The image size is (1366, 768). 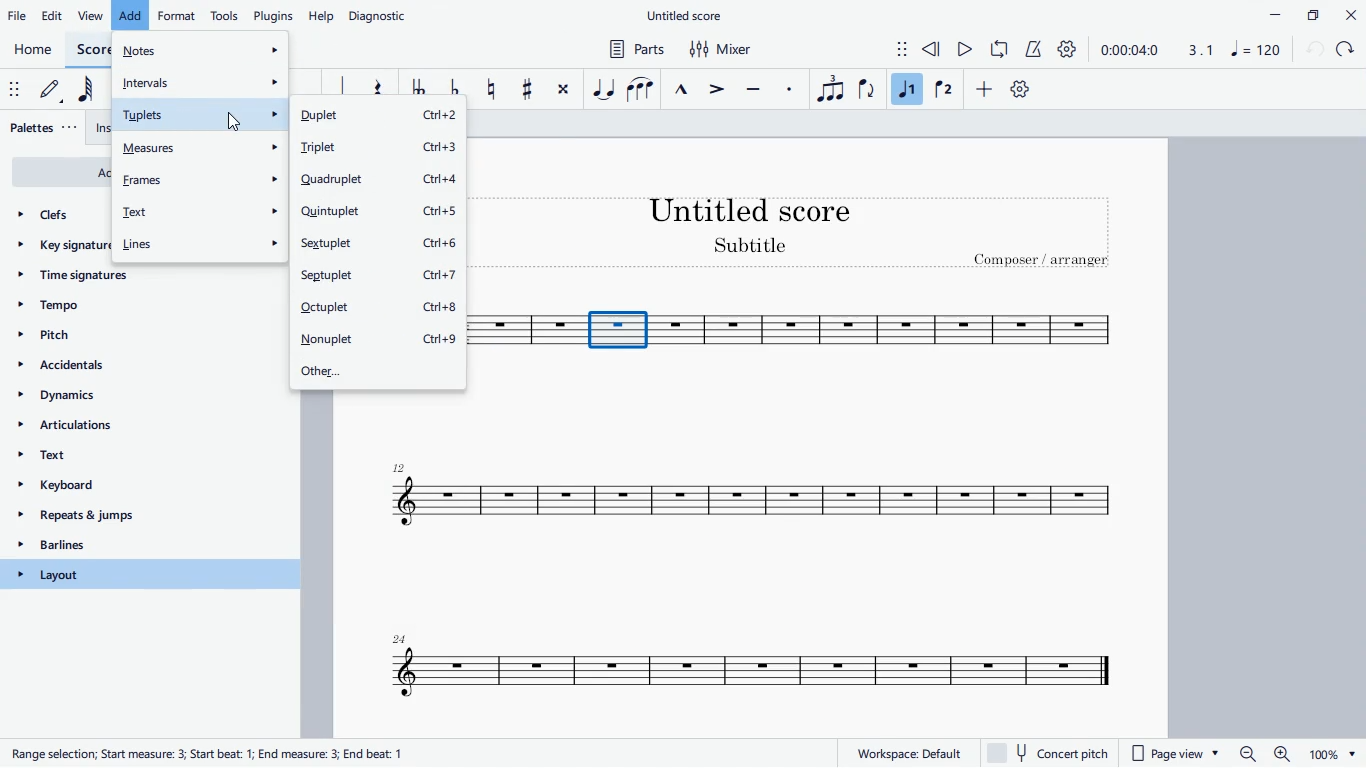 What do you see at coordinates (1054, 753) in the screenshot?
I see `concert pitch` at bounding box center [1054, 753].